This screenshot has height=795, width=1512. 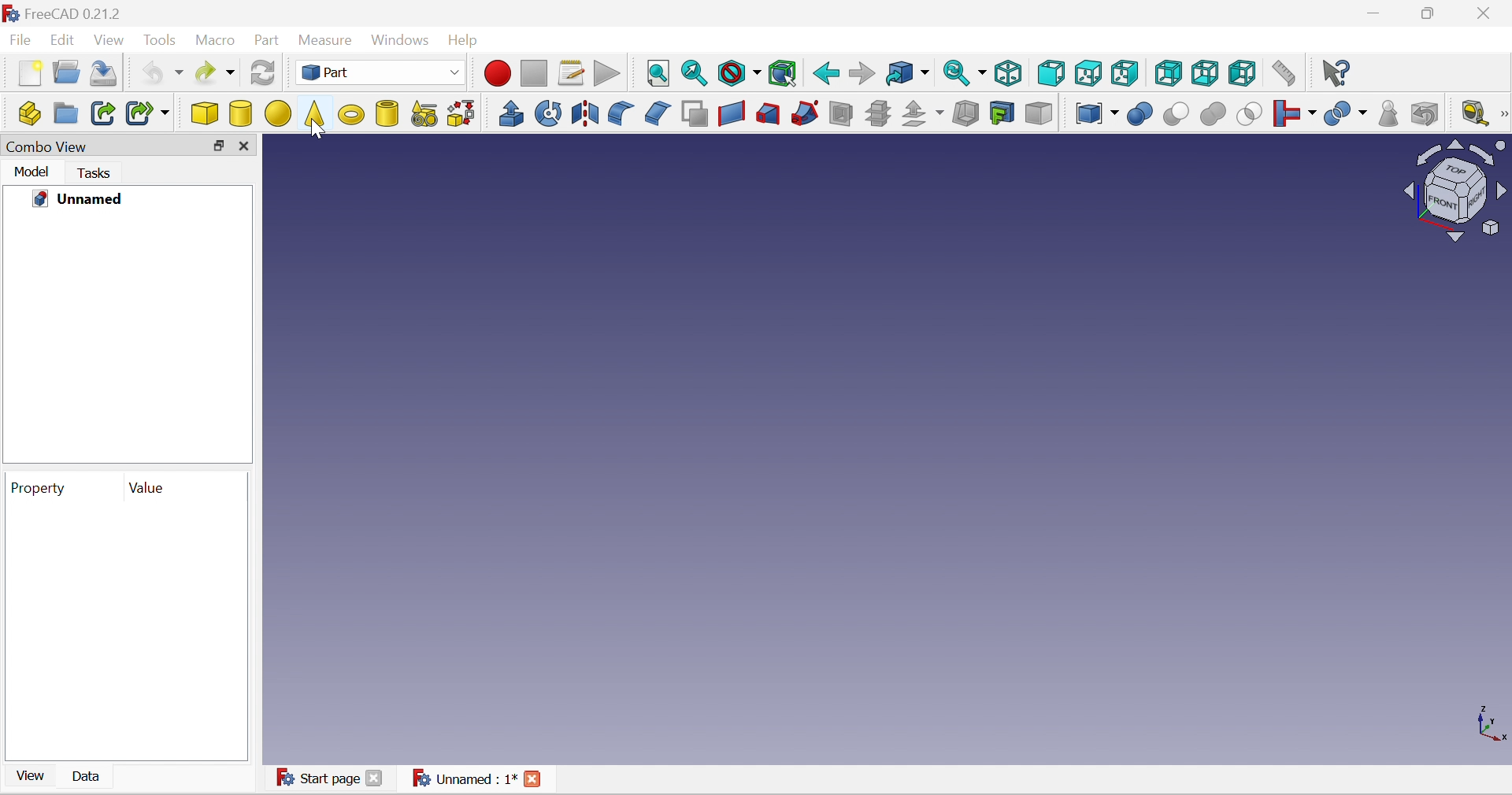 What do you see at coordinates (498, 73) in the screenshot?
I see `Macro recording` at bounding box center [498, 73].